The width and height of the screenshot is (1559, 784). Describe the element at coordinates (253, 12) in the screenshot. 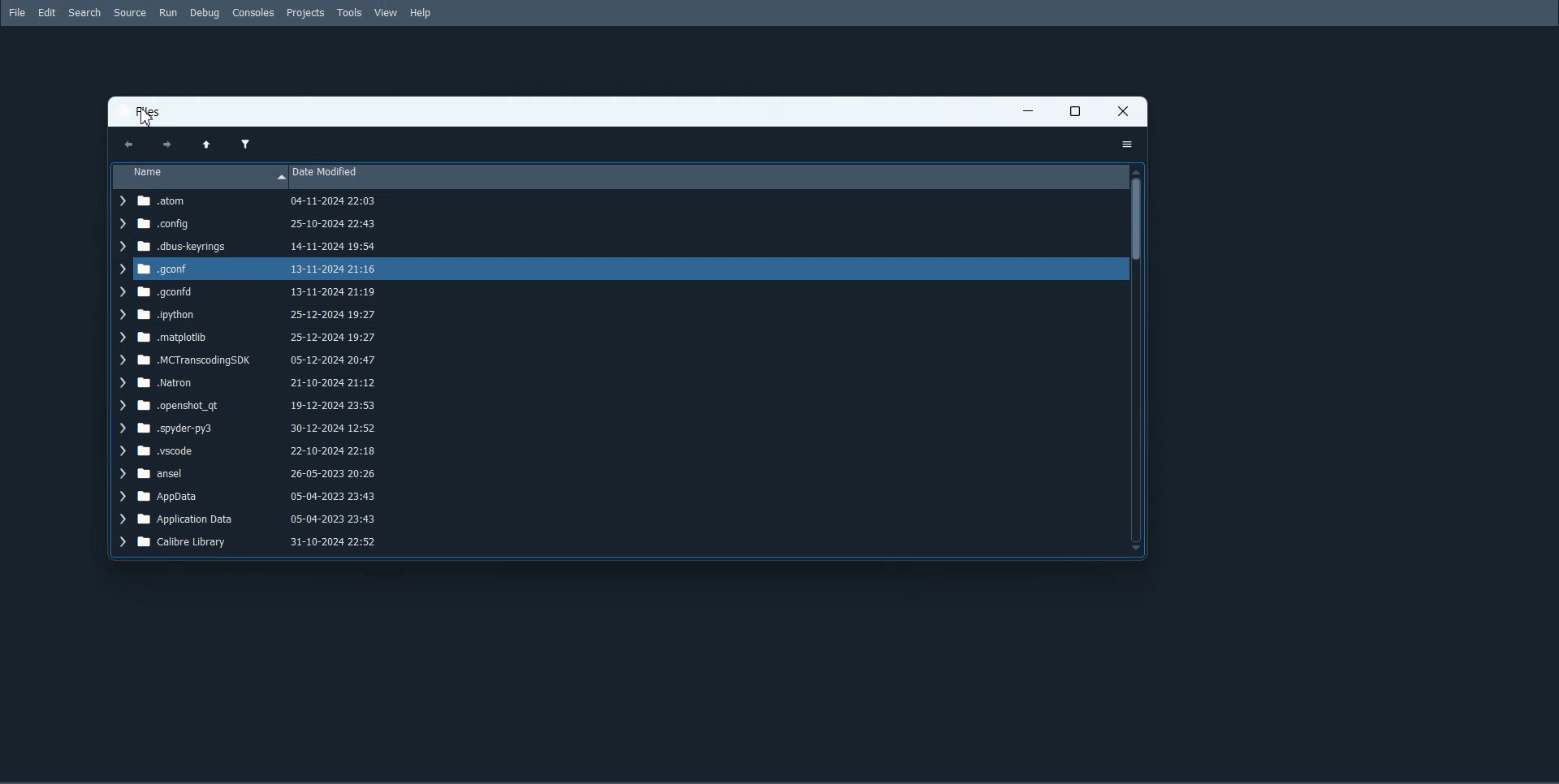

I see `Consoles` at that location.